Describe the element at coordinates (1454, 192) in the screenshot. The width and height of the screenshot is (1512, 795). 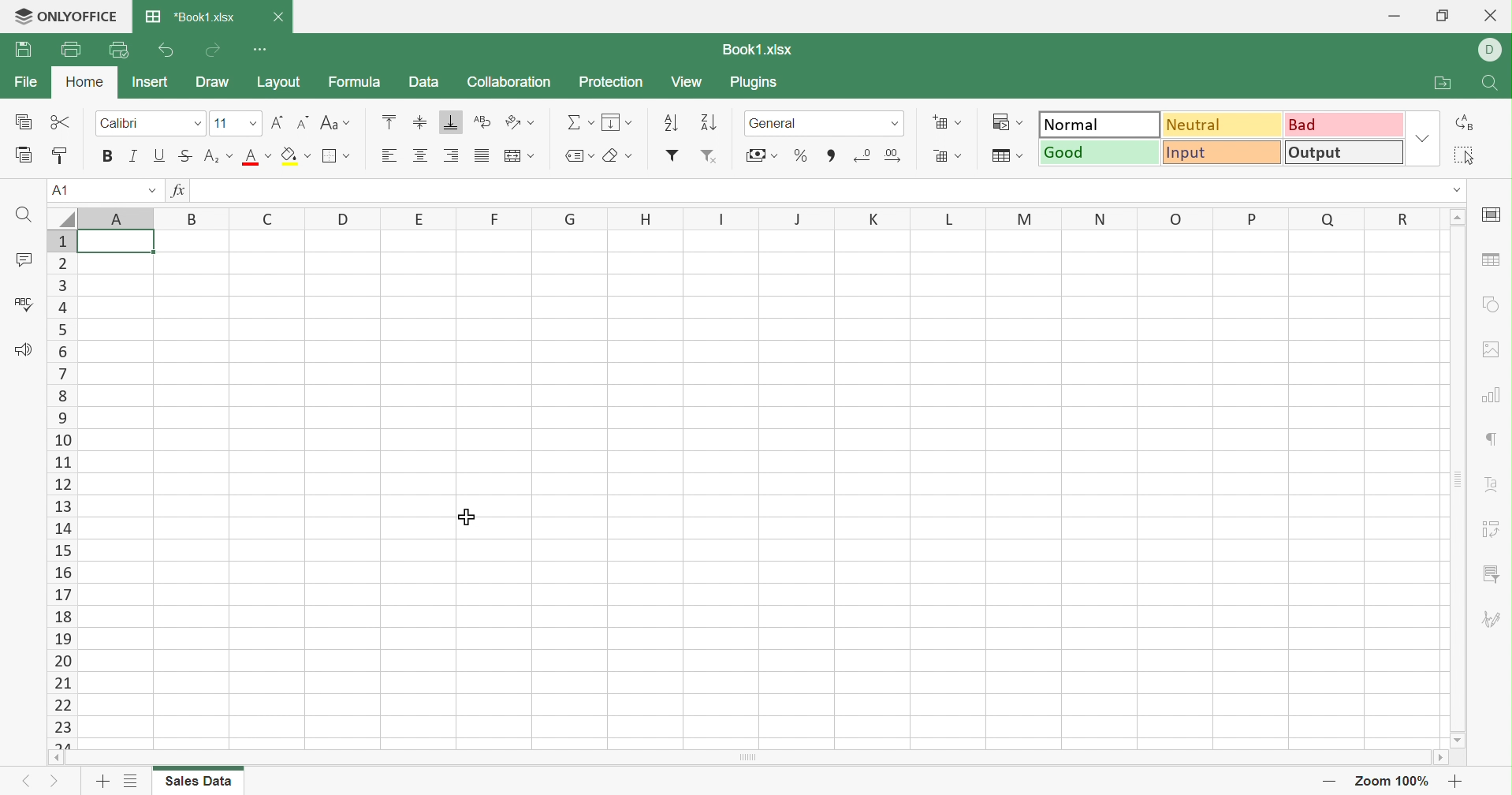
I see `Drop Down` at that location.